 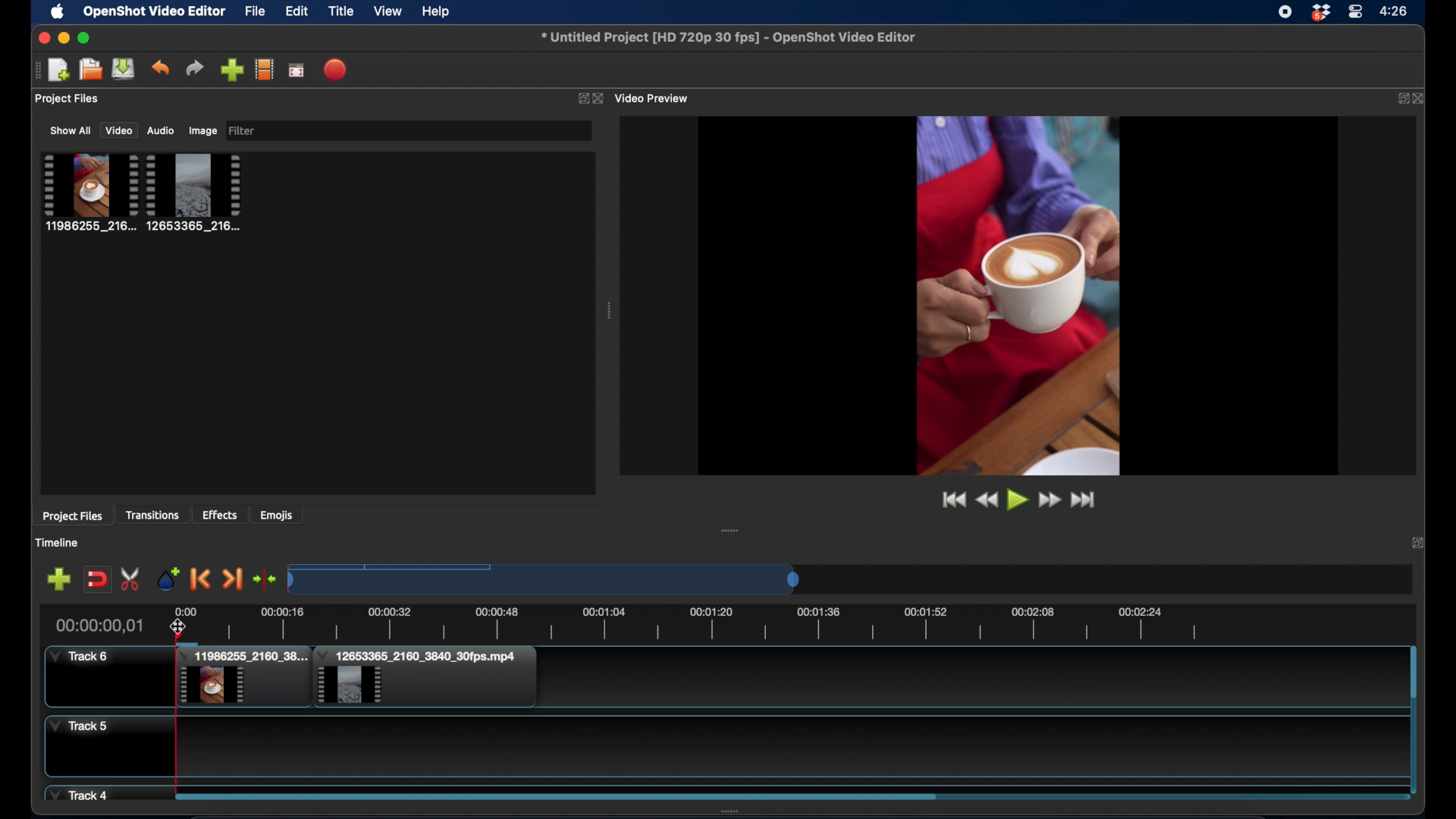 I want to click on video preview, so click(x=1018, y=294).